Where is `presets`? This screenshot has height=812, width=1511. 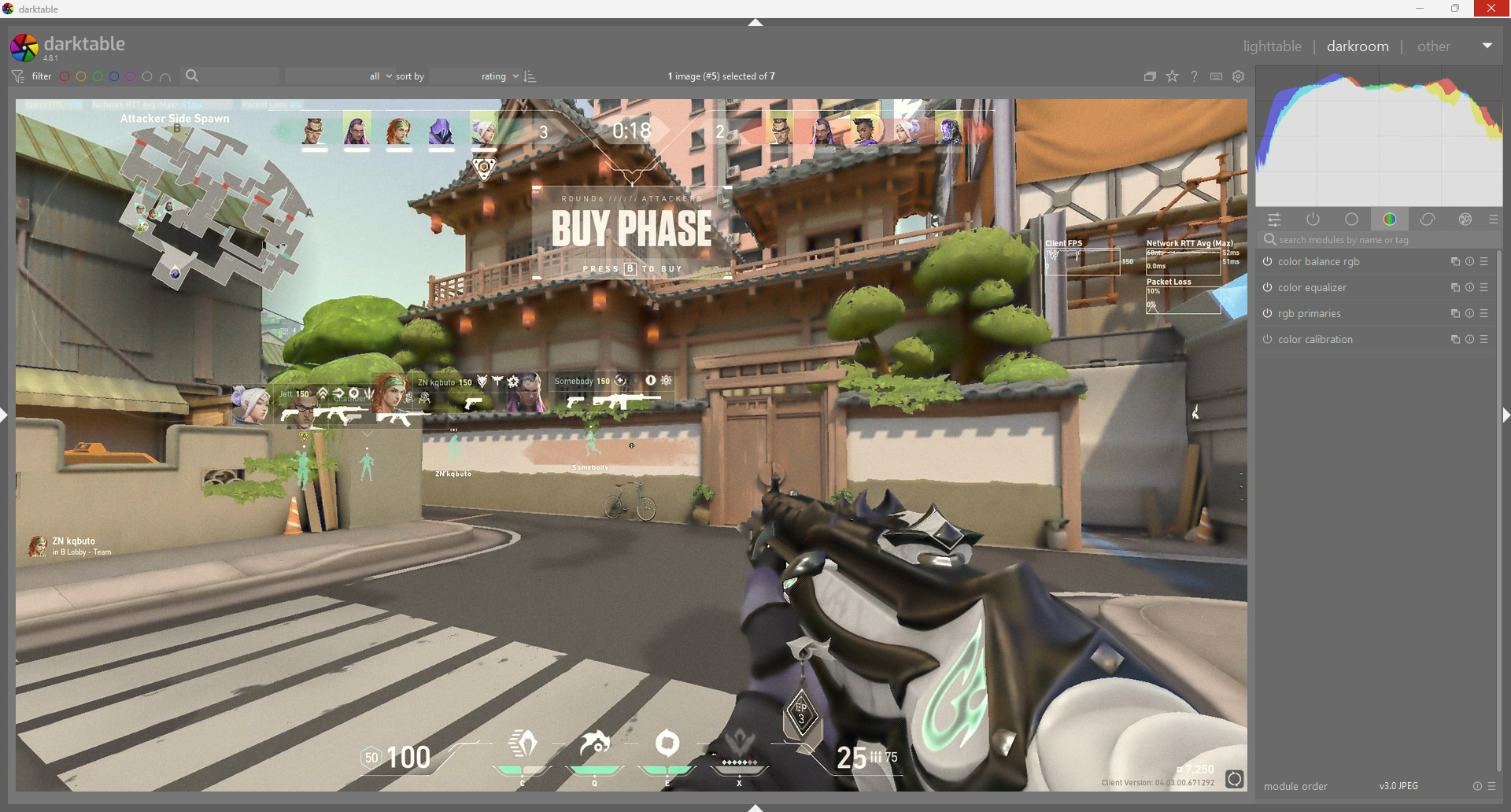
presets is located at coordinates (1485, 261).